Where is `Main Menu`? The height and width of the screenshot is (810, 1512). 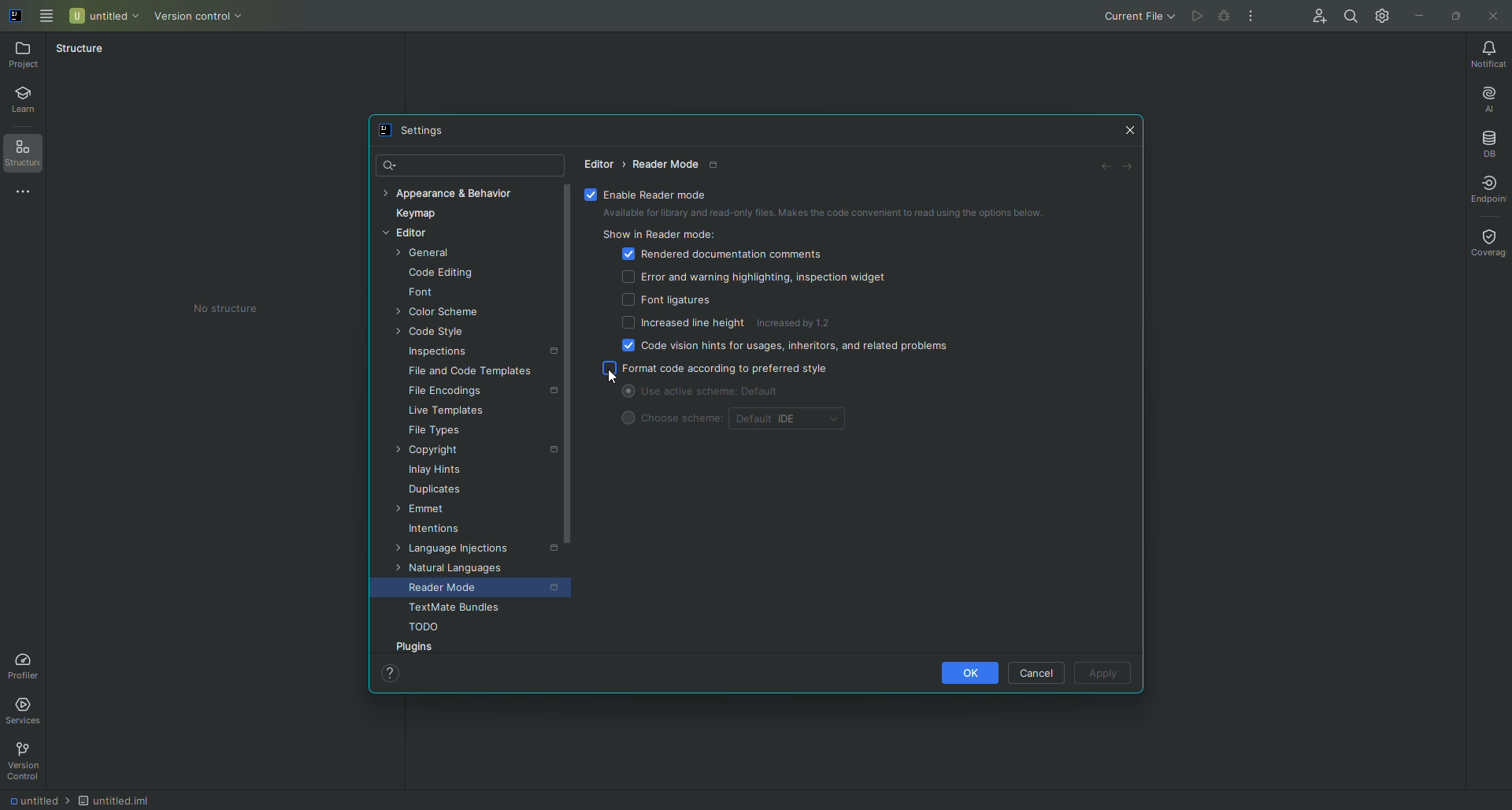
Main Menu is located at coordinates (43, 17).